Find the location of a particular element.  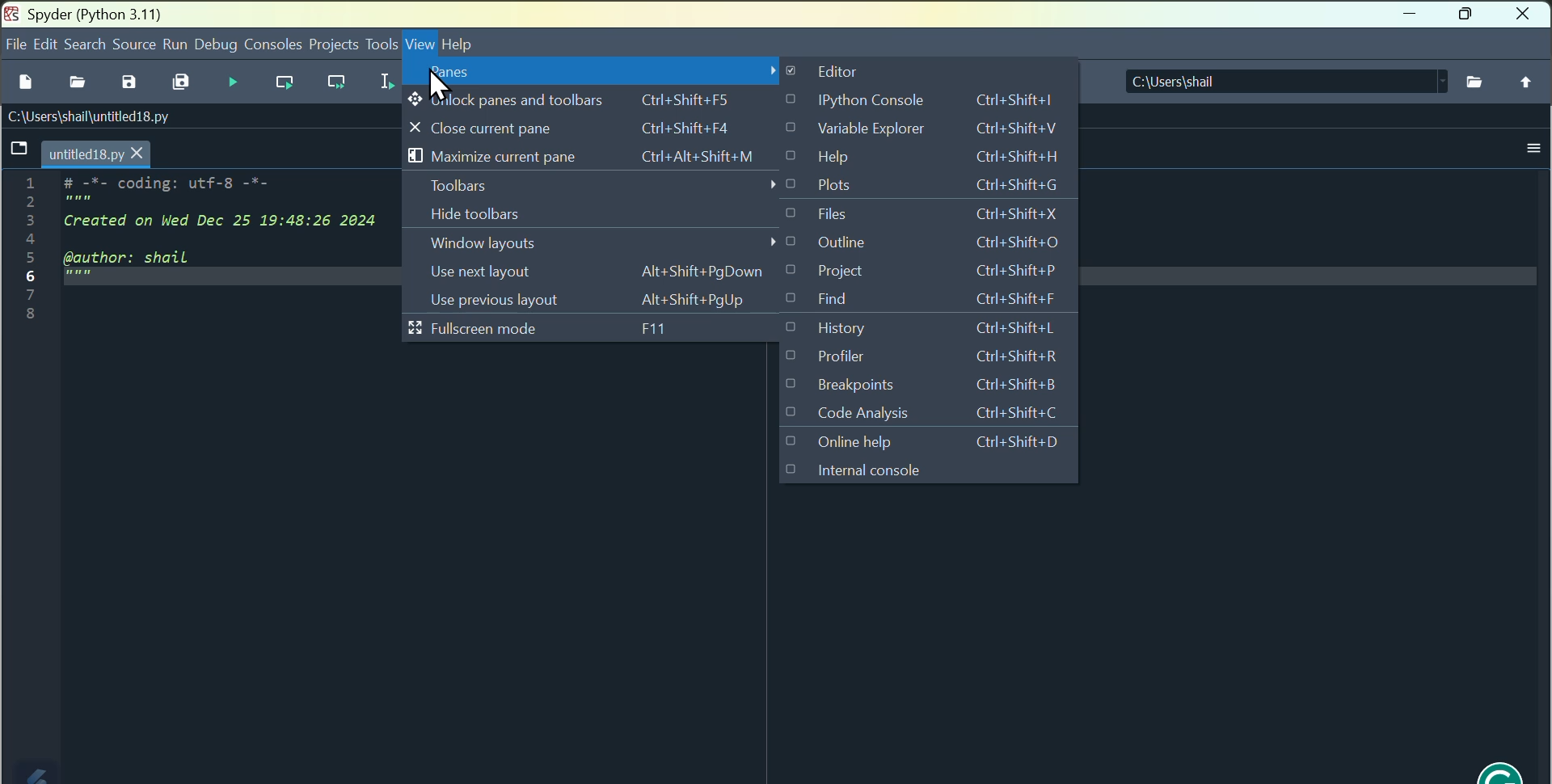

Toolbars is located at coordinates (599, 187).